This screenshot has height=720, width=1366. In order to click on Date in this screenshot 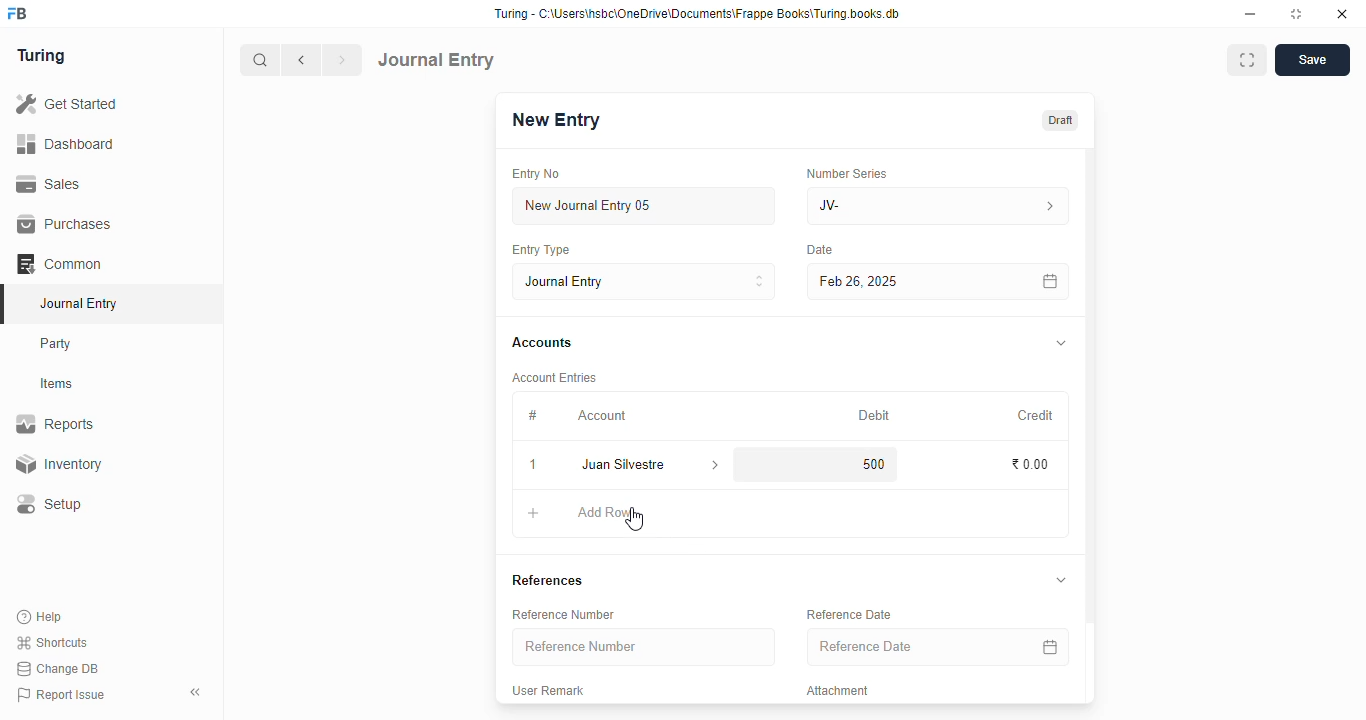, I will do `click(821, 250)`.